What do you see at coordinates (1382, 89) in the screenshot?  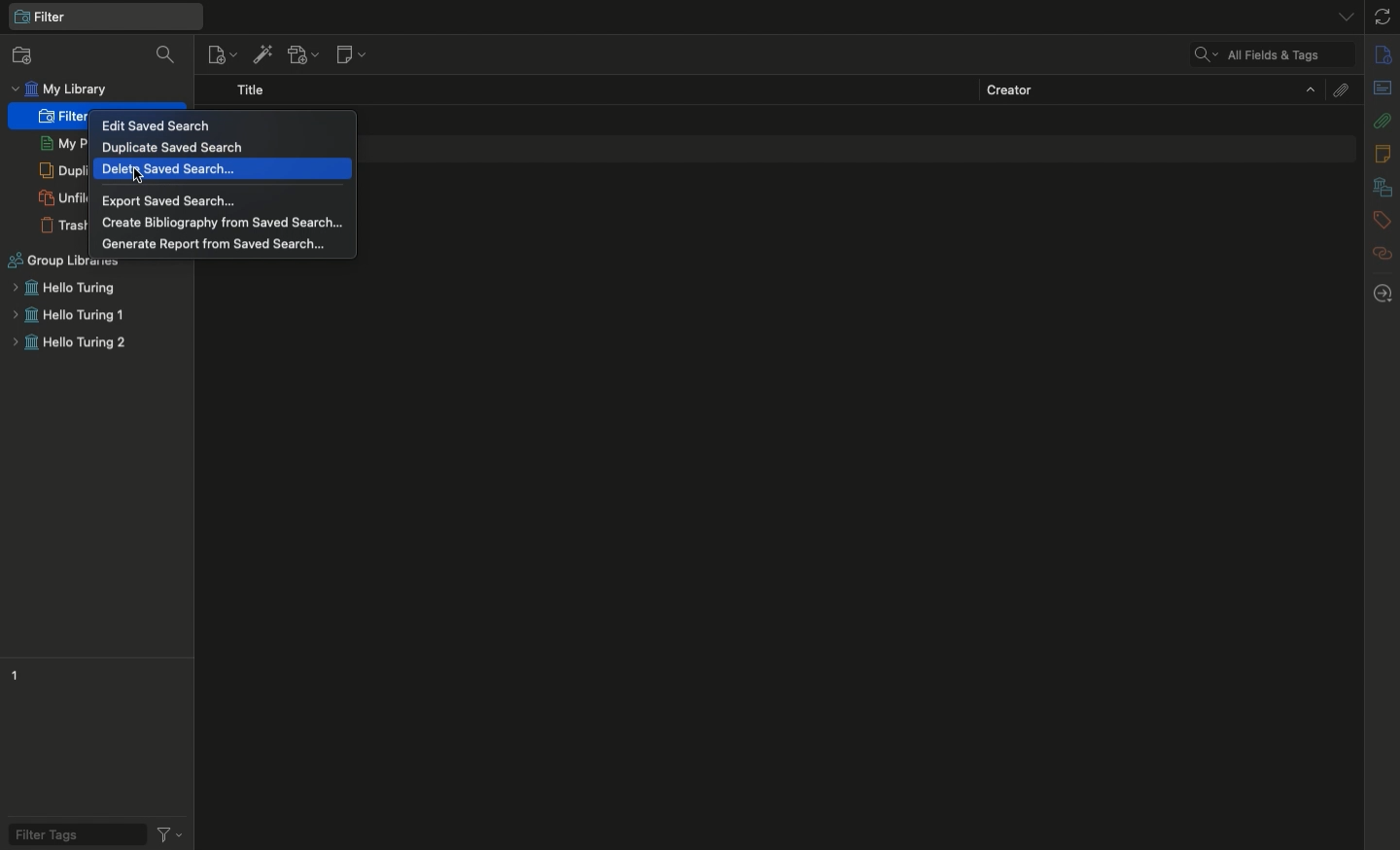 I see `Abstract` at bounding box center [1382, 89].